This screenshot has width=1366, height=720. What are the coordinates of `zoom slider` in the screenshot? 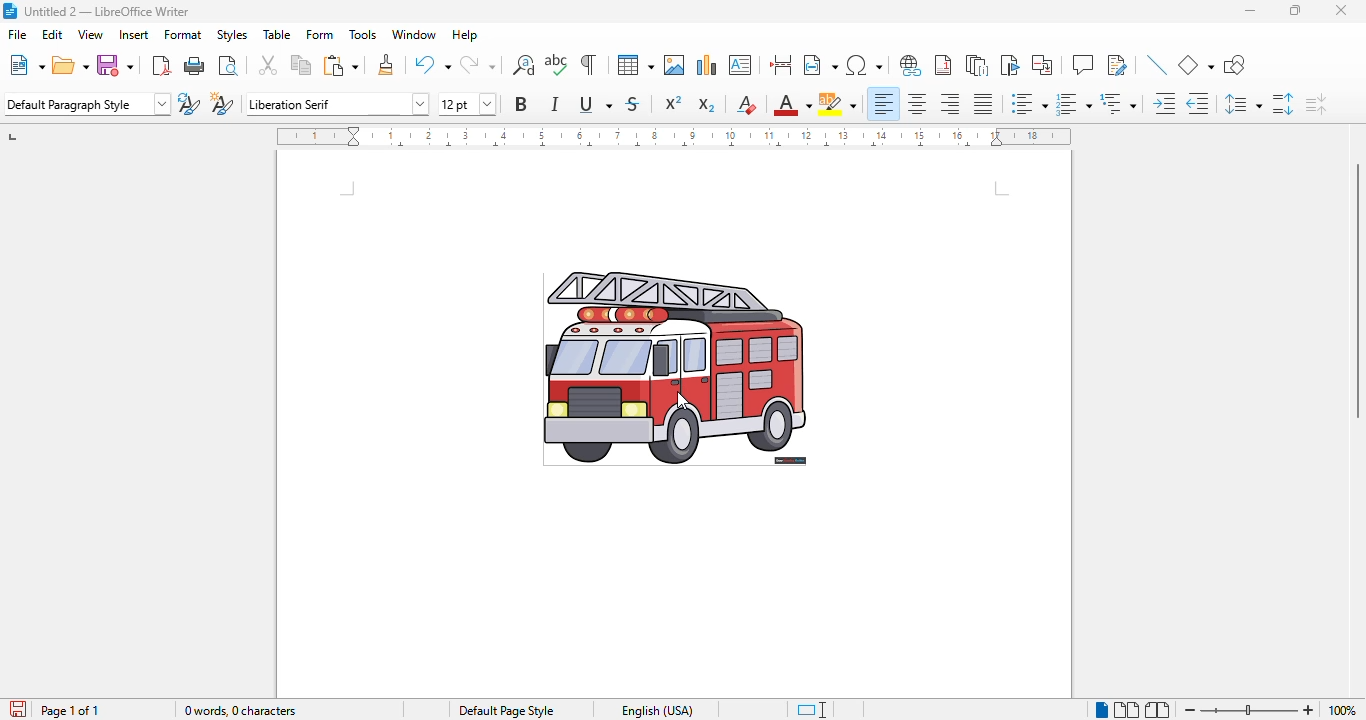 It's located at (1249, 709).